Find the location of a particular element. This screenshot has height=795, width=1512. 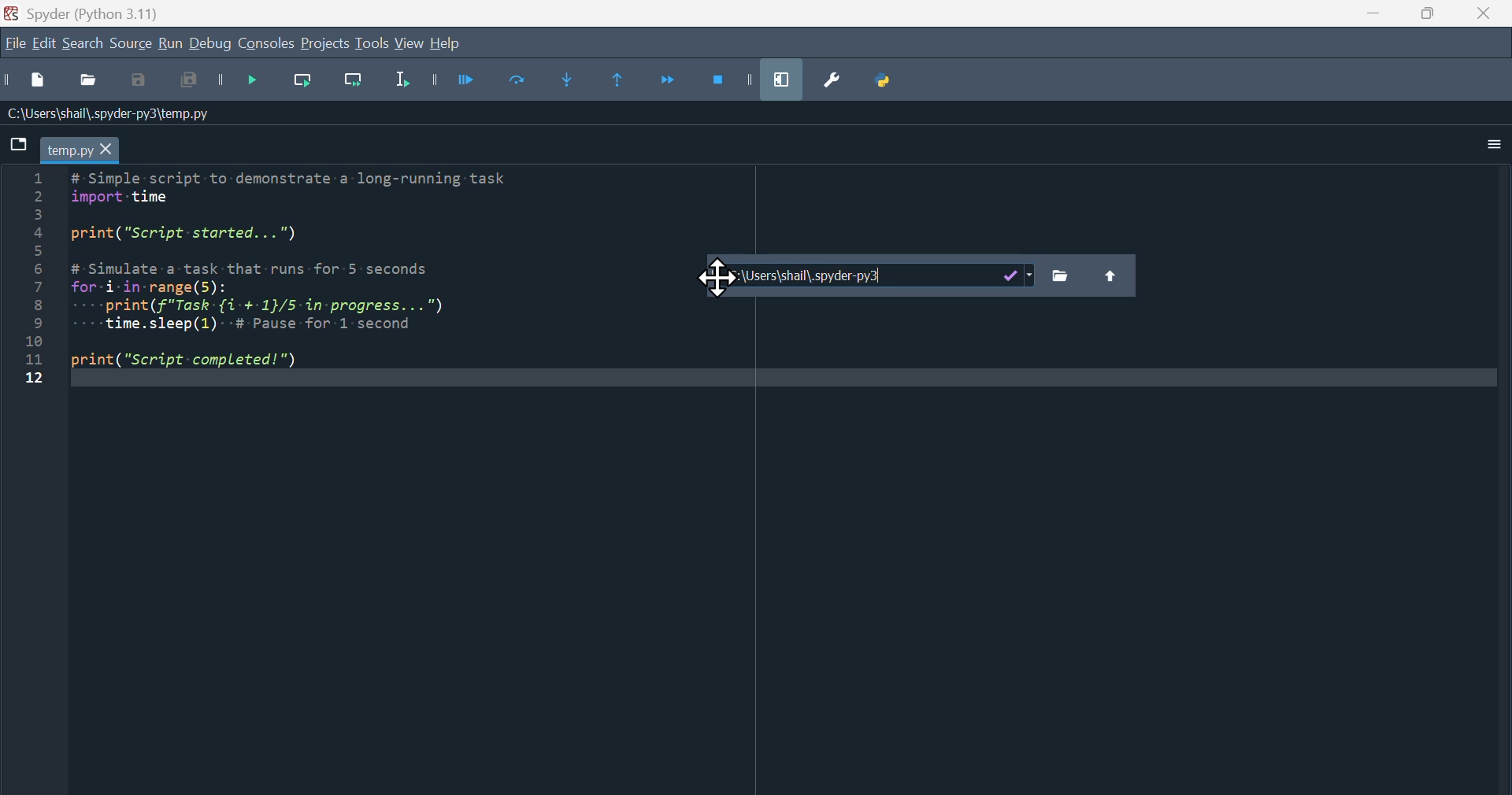

spyder is located at coordinates (98, 13).